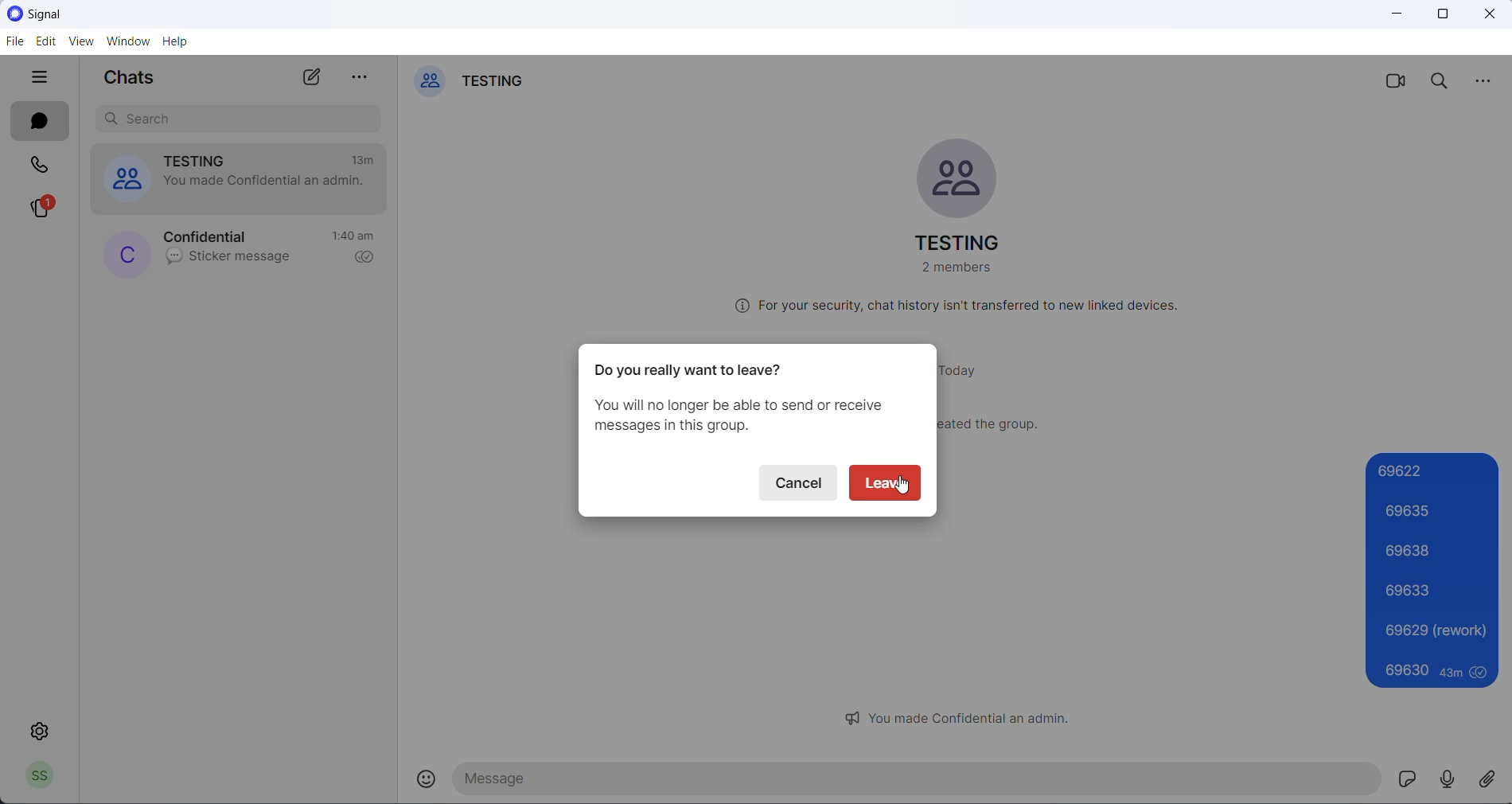 This screenshot has width=1512, height=804. Describe the element at coordinates (688, 372) in the screenshot. I see `Do you really want to leave?` at that location.